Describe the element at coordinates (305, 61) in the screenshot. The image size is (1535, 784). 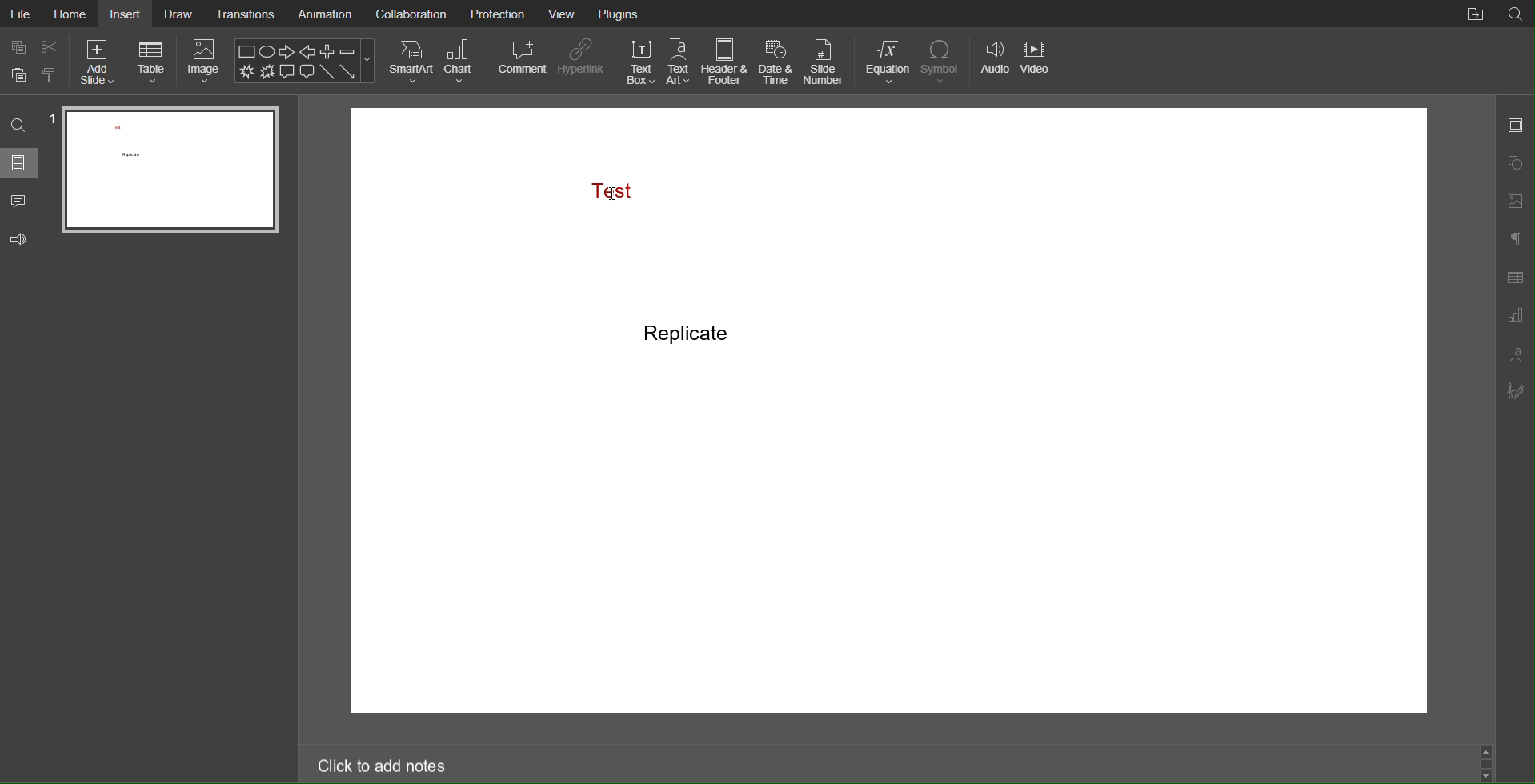
I see `Shape Menu` at that location.